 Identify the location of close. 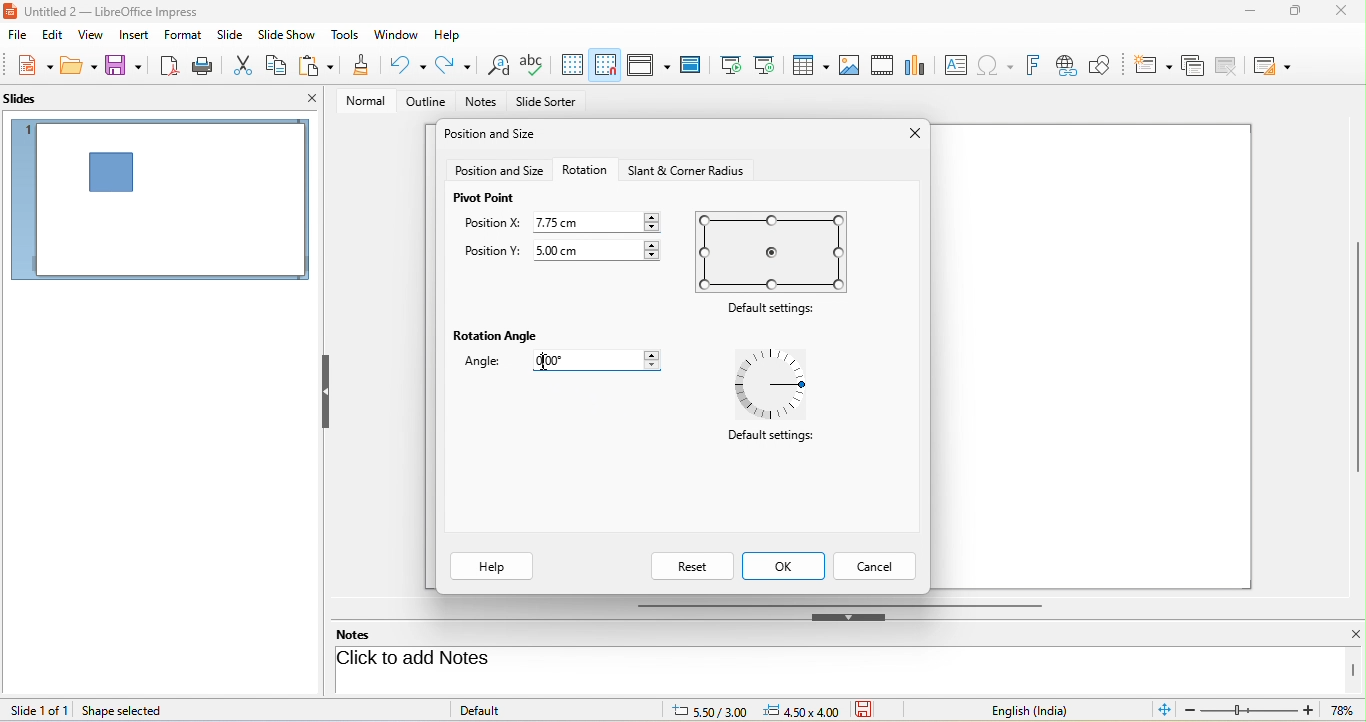
(1344, 635).